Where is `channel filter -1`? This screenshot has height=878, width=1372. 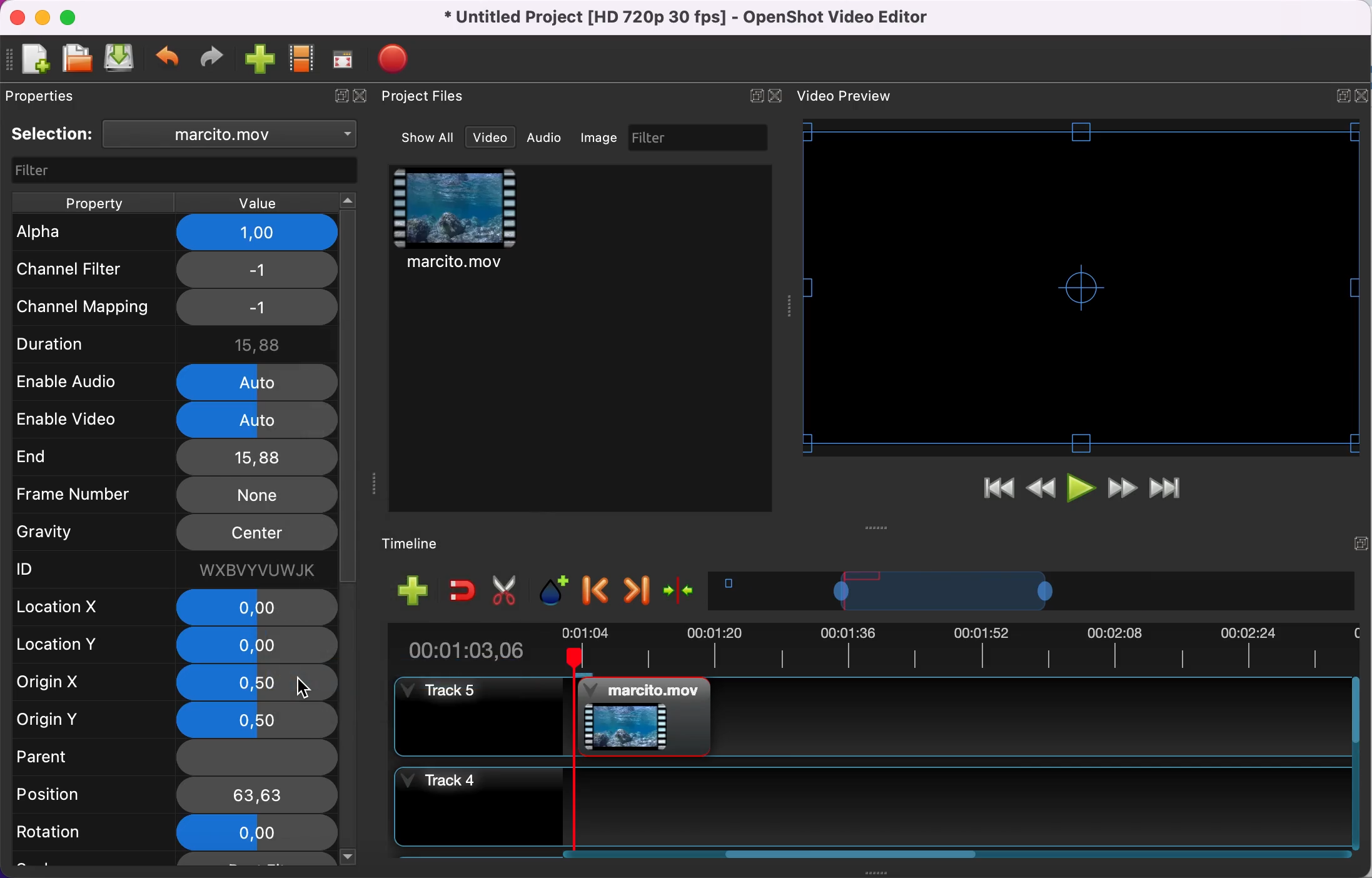
channel filter -1 is located at coordinates (171, 269).